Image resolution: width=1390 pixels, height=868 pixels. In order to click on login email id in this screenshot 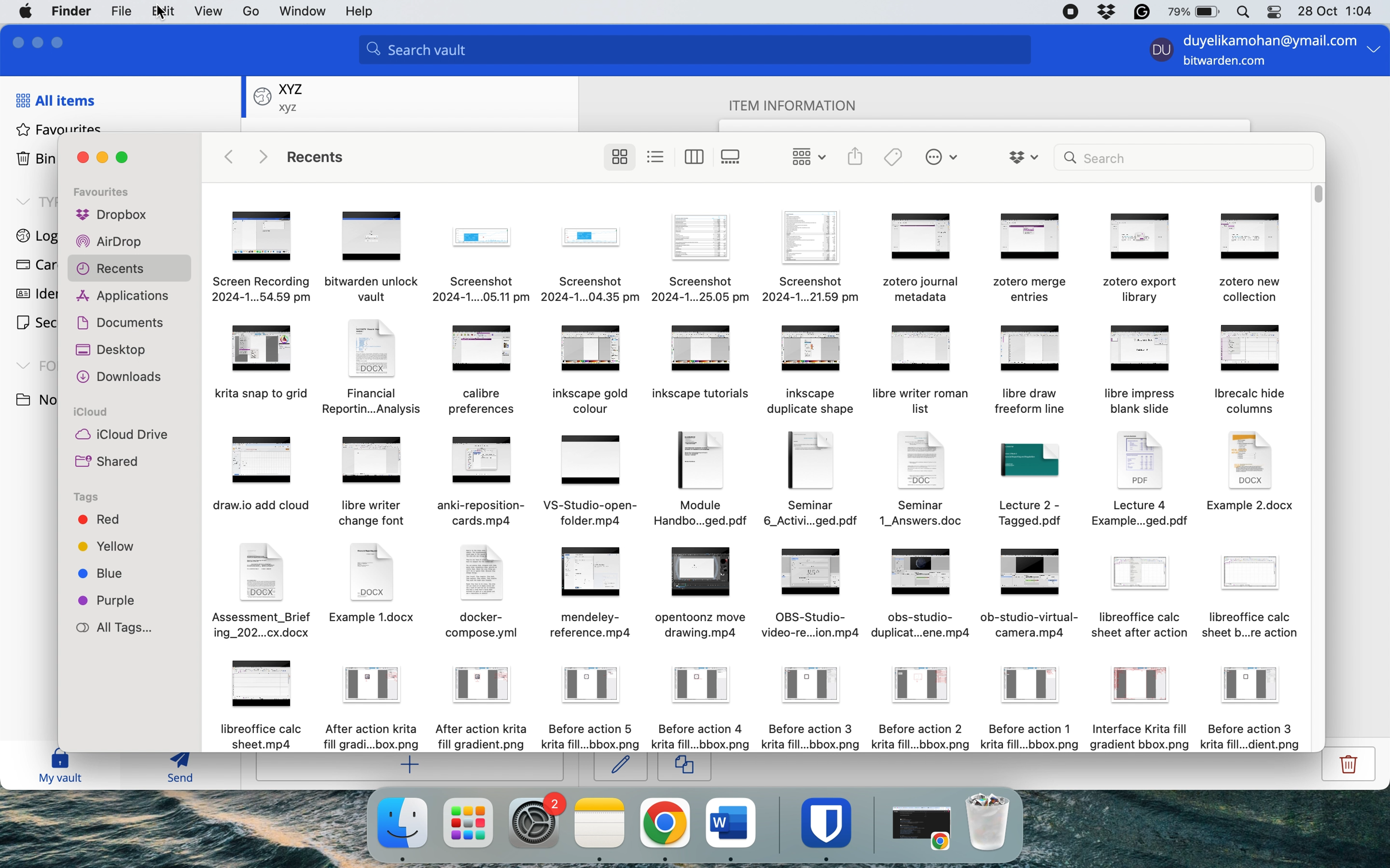, I will do `click(1265, 38)`.